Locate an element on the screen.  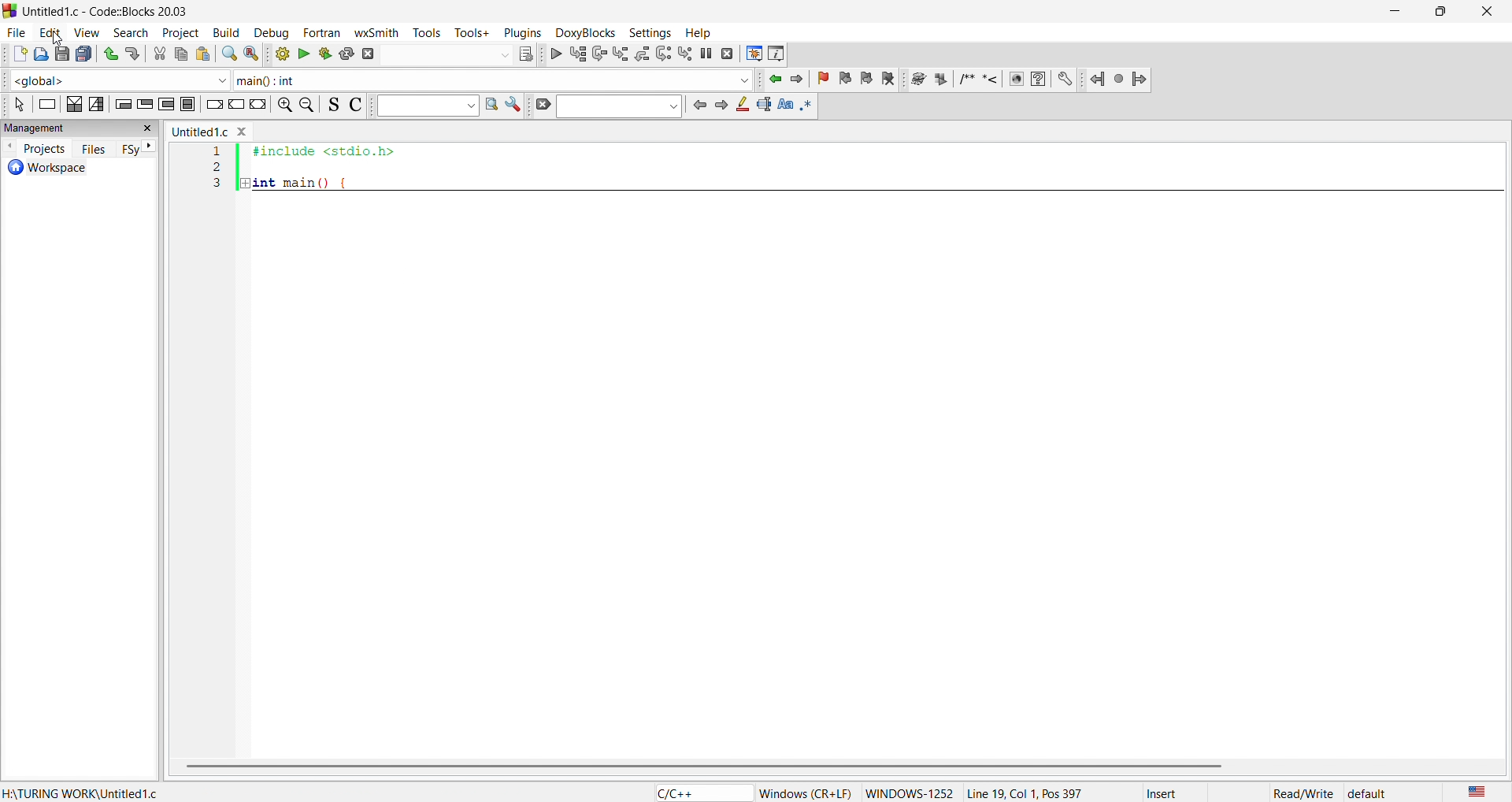
stop is located at coordinates (1120, 78).